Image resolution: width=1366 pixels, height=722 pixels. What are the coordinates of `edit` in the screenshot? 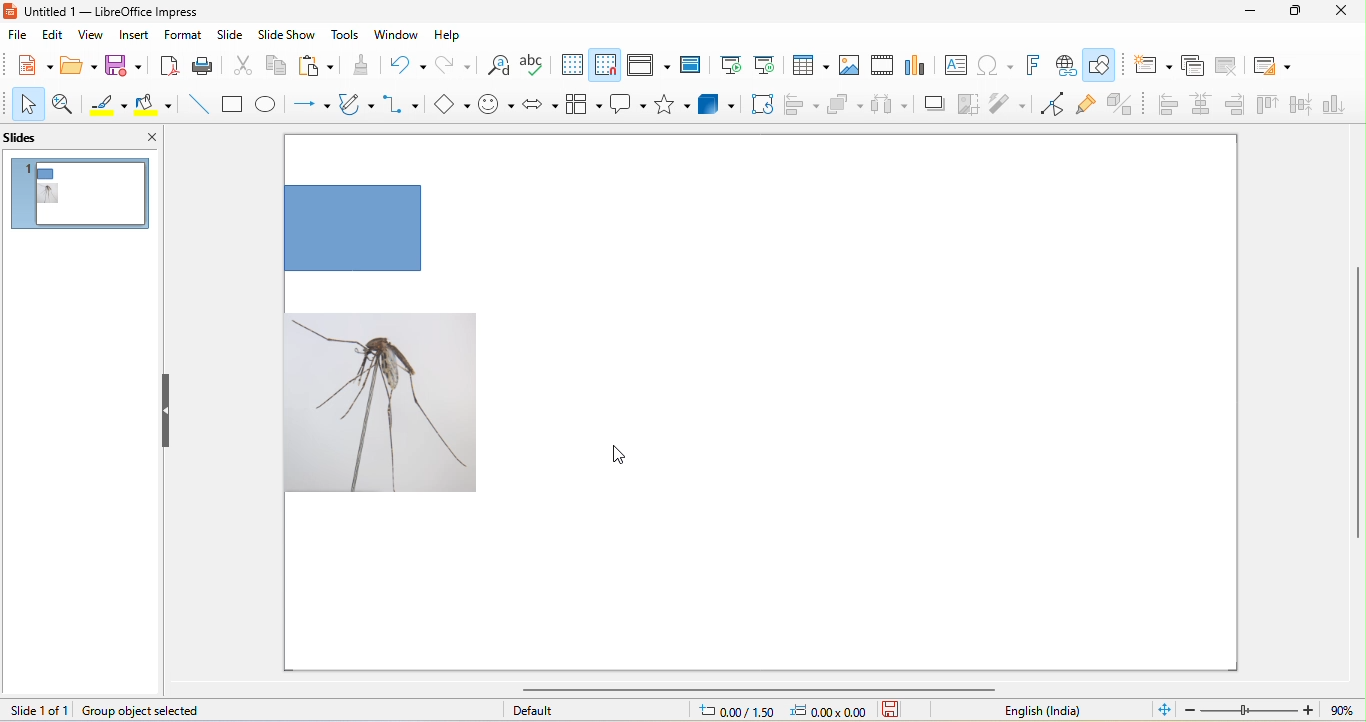 It's located at (53, 36).